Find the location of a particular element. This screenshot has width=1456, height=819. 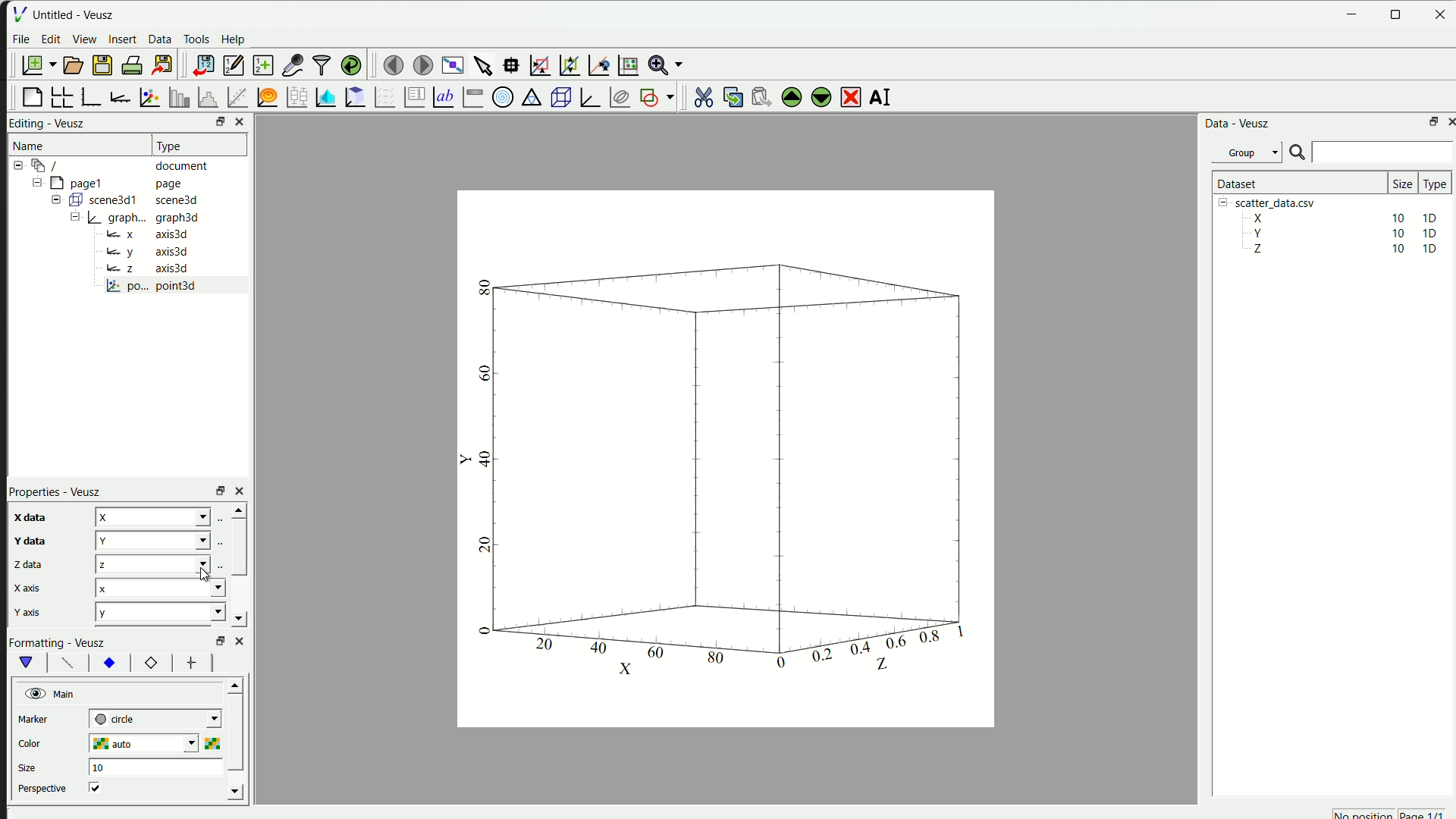

View is located at coordinates (83, 38).